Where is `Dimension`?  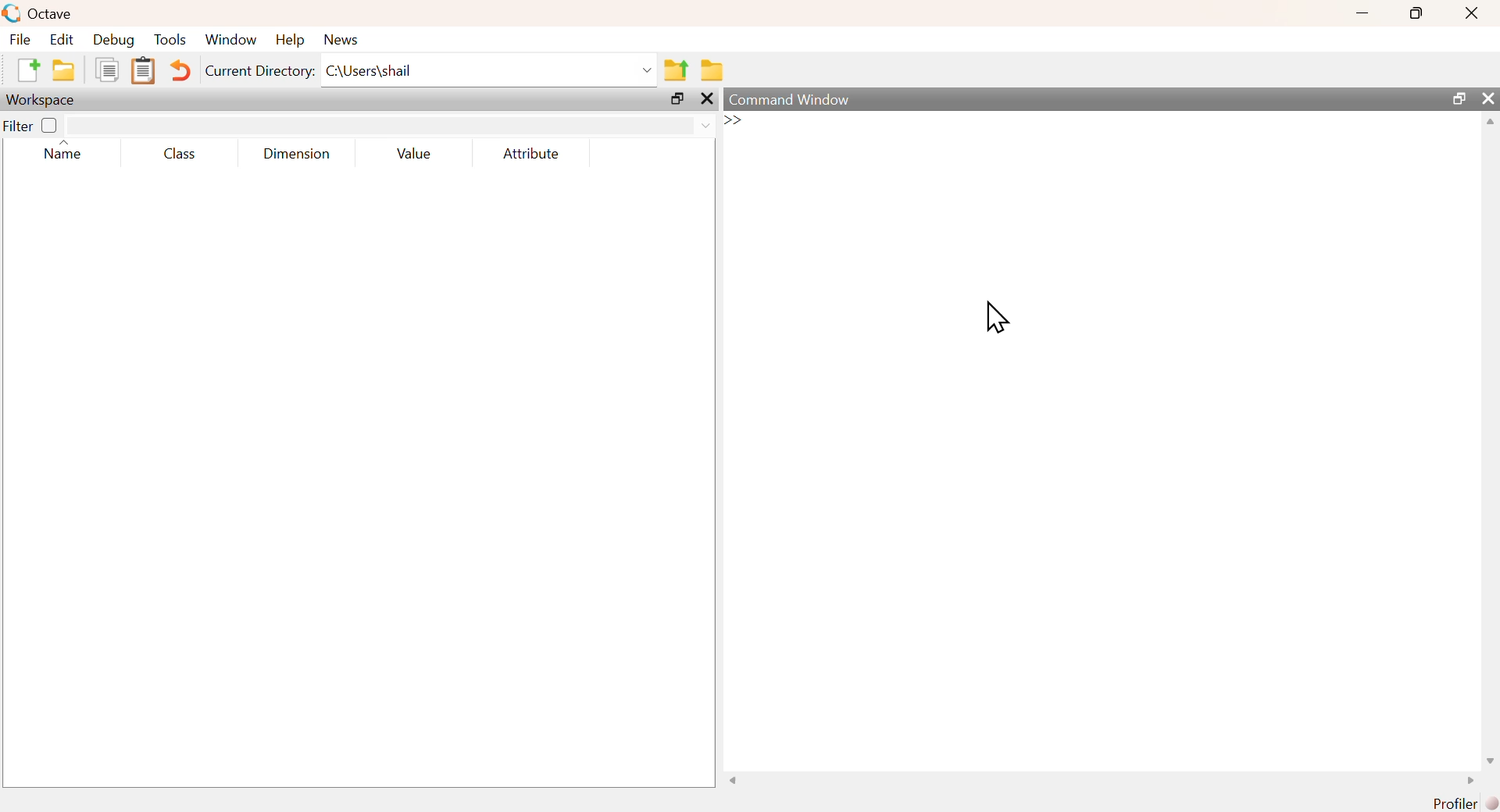 Dimension is located at coordinates (297, 154).